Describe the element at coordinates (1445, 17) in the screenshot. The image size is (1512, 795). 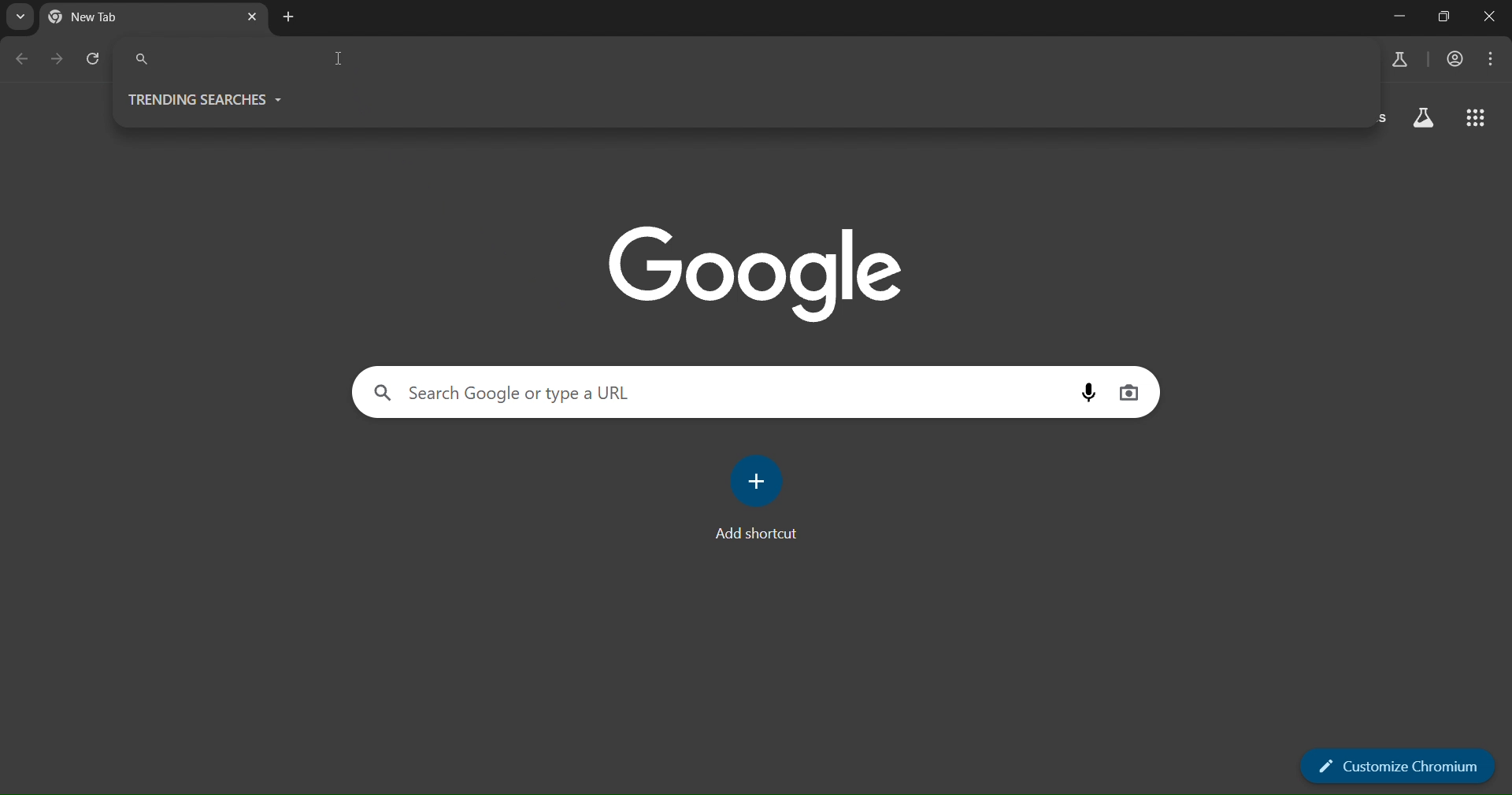
I see `Maximize` at that location.